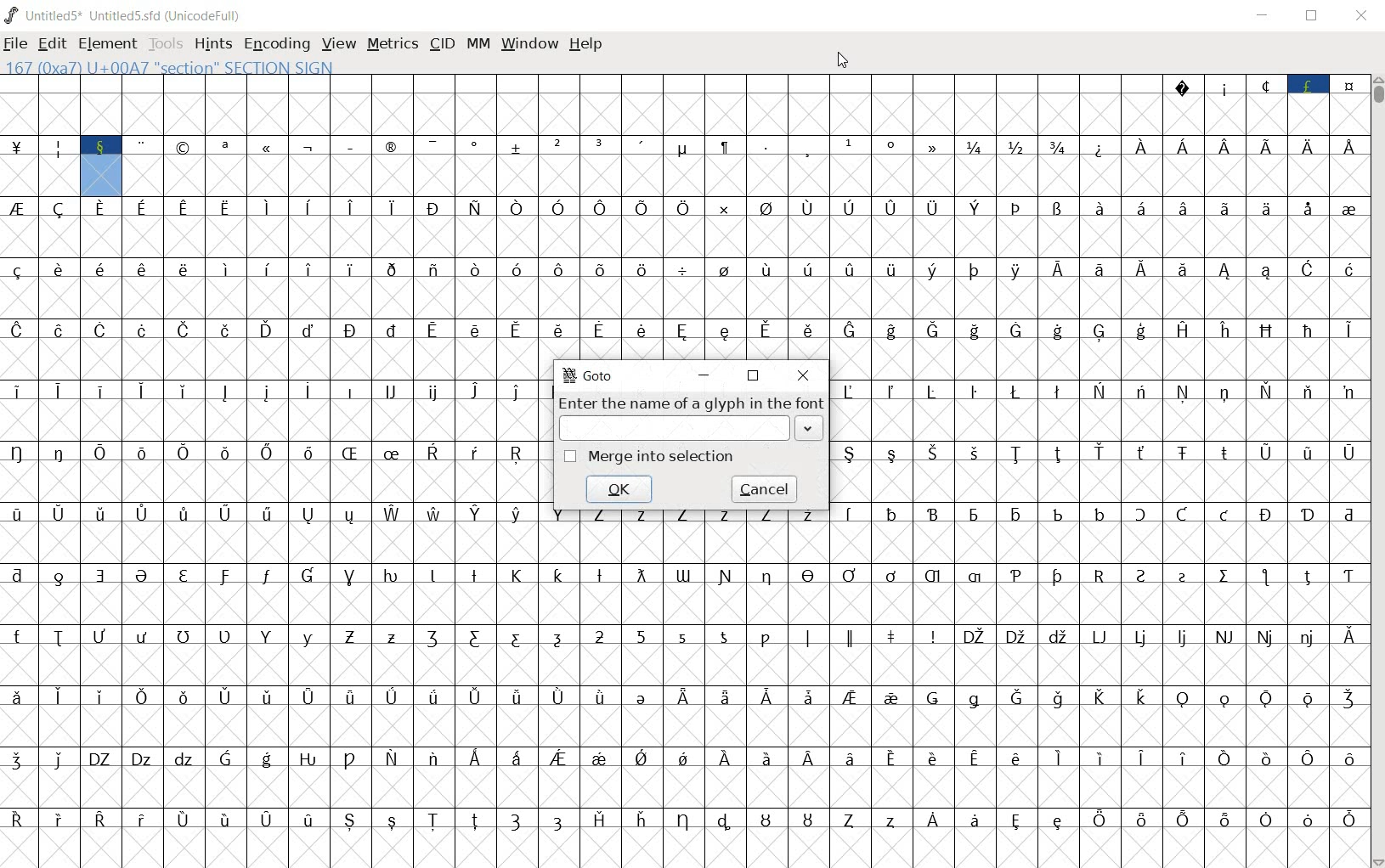 The height and width of the screenshot is (868, 1385). What do you see at coordinates (1360, 17) in the screenshot?
I see `close` at bounding box center [1360, 17].